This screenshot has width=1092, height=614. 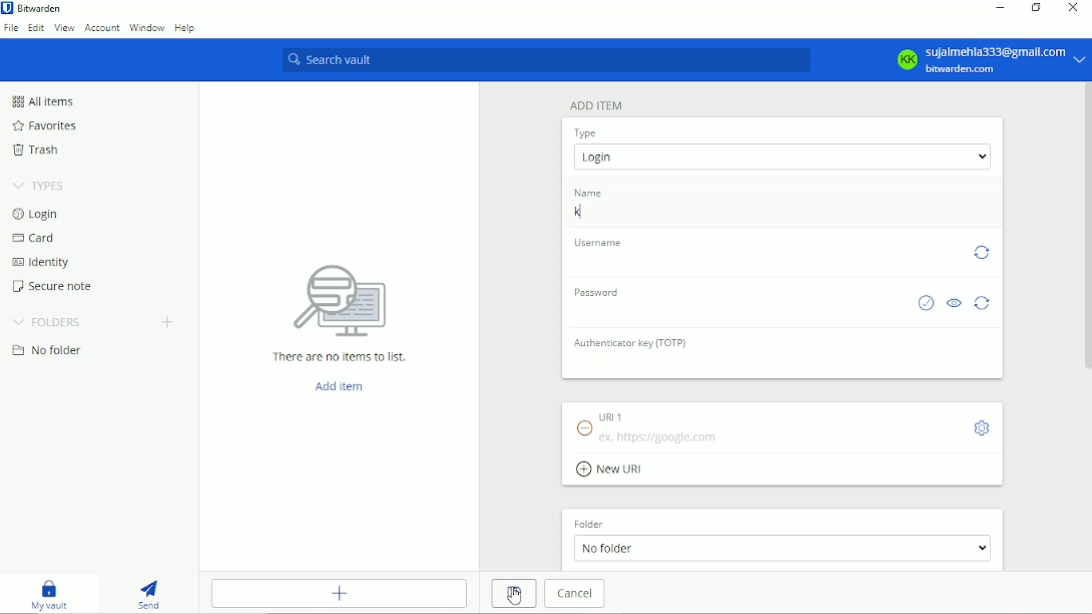 I want to click on Save, so click(x=513, y=594).